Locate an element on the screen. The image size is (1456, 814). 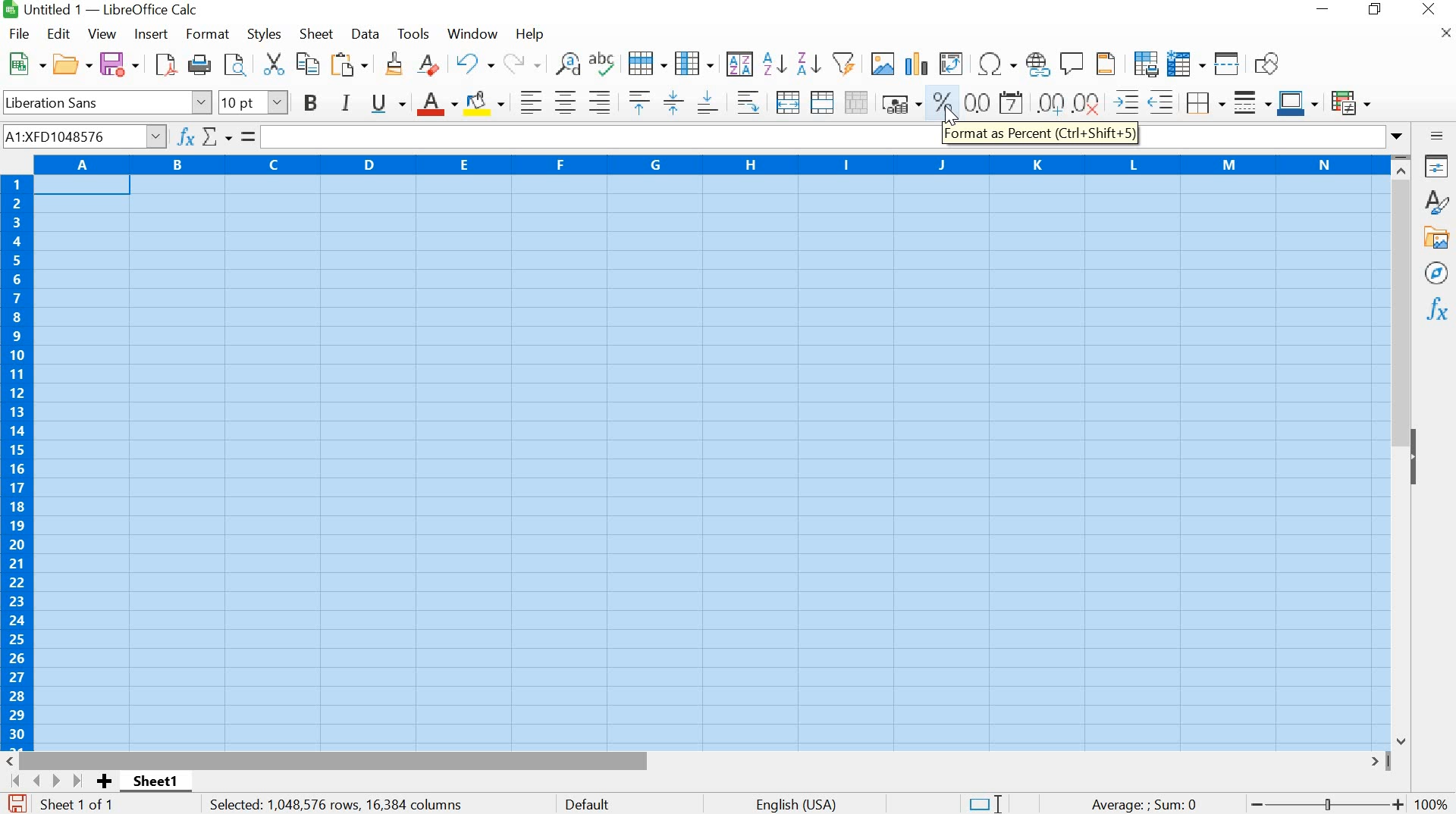
BOLD is located at coordinates (309, 104).